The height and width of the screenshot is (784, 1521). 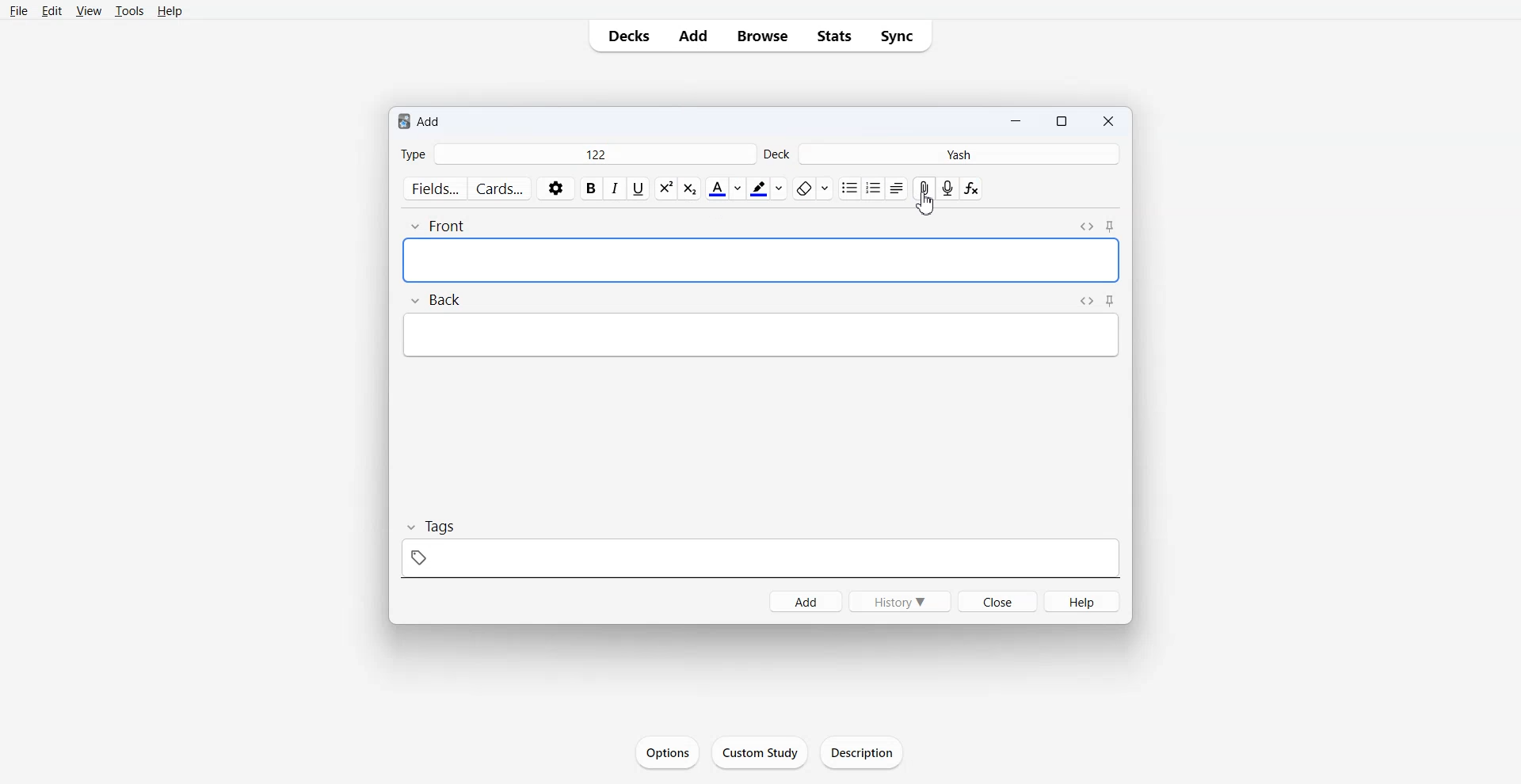 What do you see at coordinates (434, 189) in the screenshot?
I see `Fields` at bounding box center [434, 189].